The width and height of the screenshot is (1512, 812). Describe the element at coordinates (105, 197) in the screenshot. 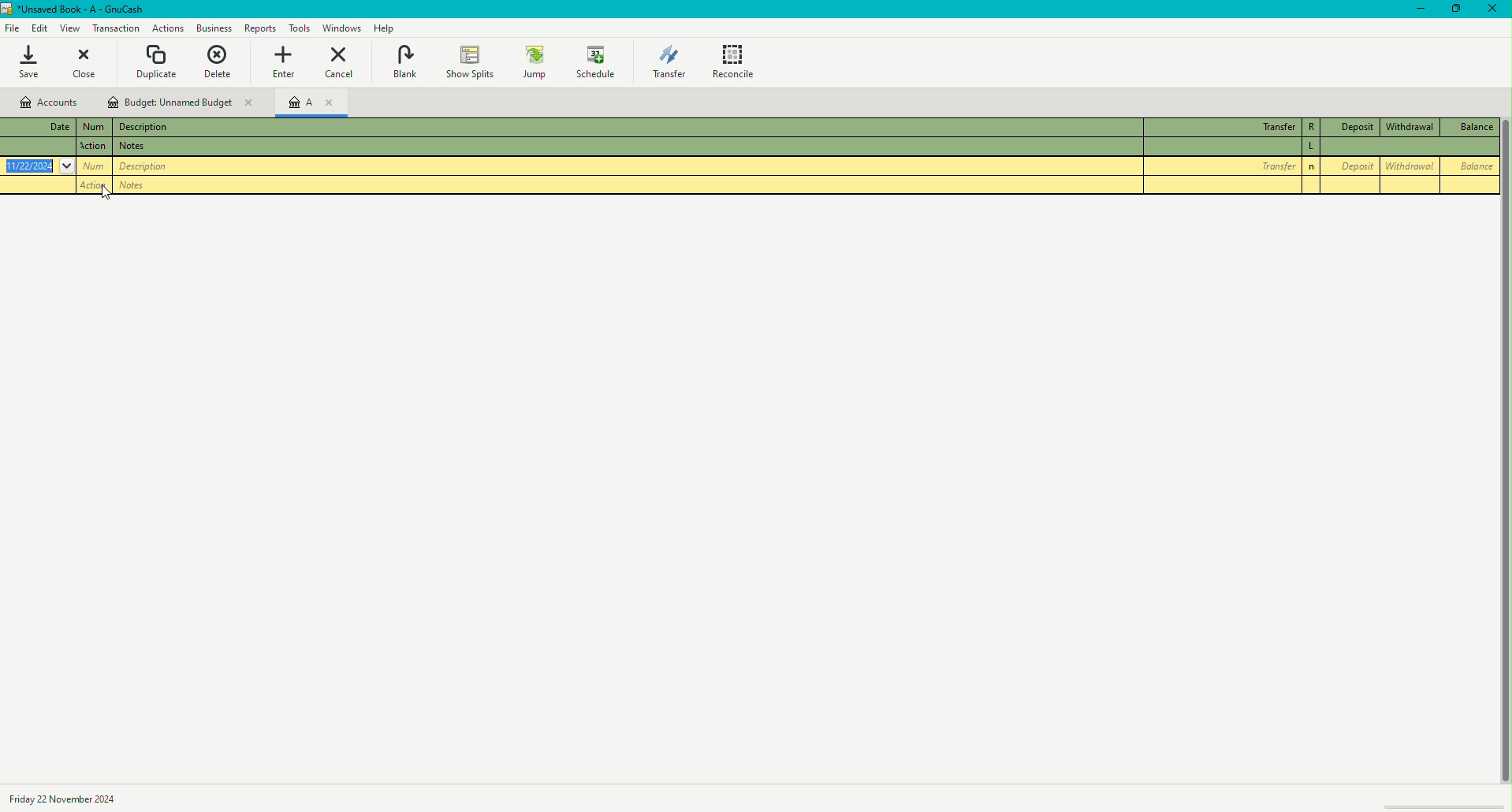

I see `cursor` at that location.